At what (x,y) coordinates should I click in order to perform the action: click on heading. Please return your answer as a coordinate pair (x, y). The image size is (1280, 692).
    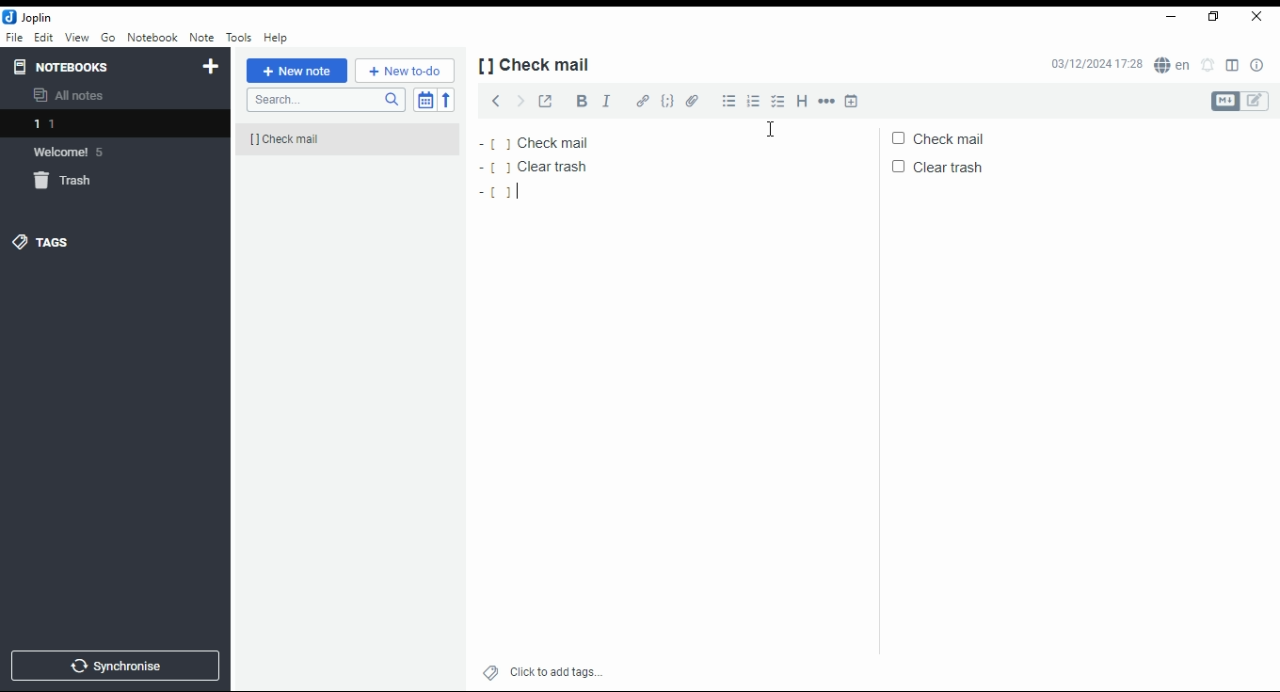
    Looking at the image, I should click on (803, 101).